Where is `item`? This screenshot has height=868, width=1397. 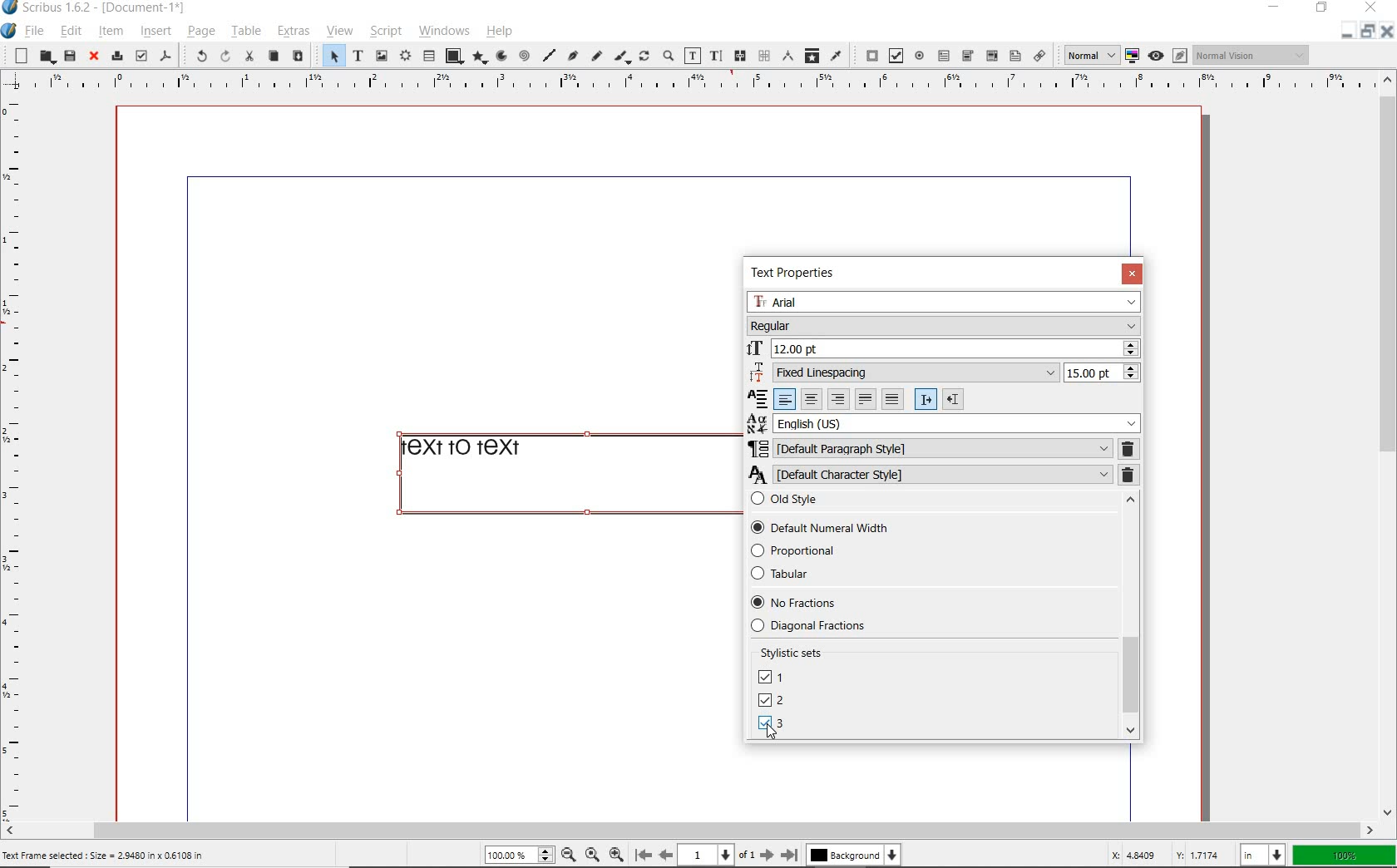
item is located at coordinates (111, 31).